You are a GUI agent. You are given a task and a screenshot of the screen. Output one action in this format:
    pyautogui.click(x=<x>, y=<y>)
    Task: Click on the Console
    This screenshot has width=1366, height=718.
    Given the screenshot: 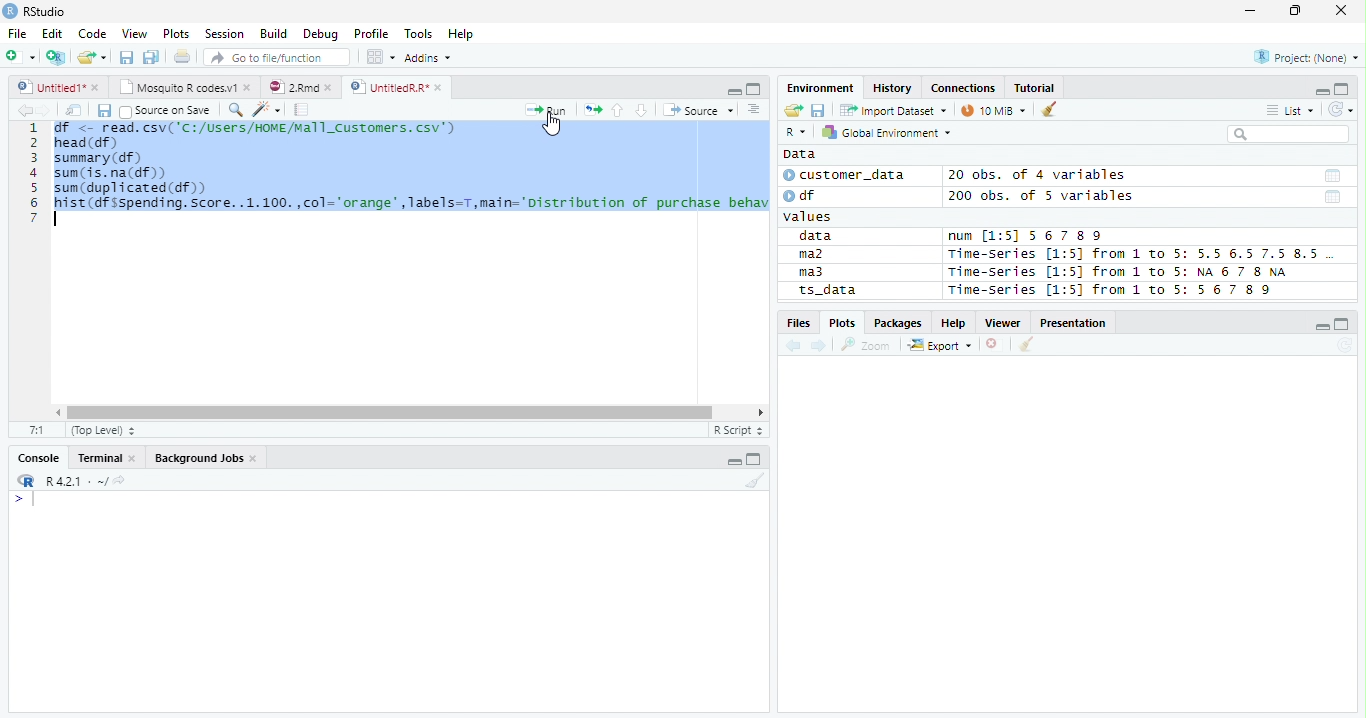 What is the action you would take?
    pyautogui.click(x=39, y=456)
    